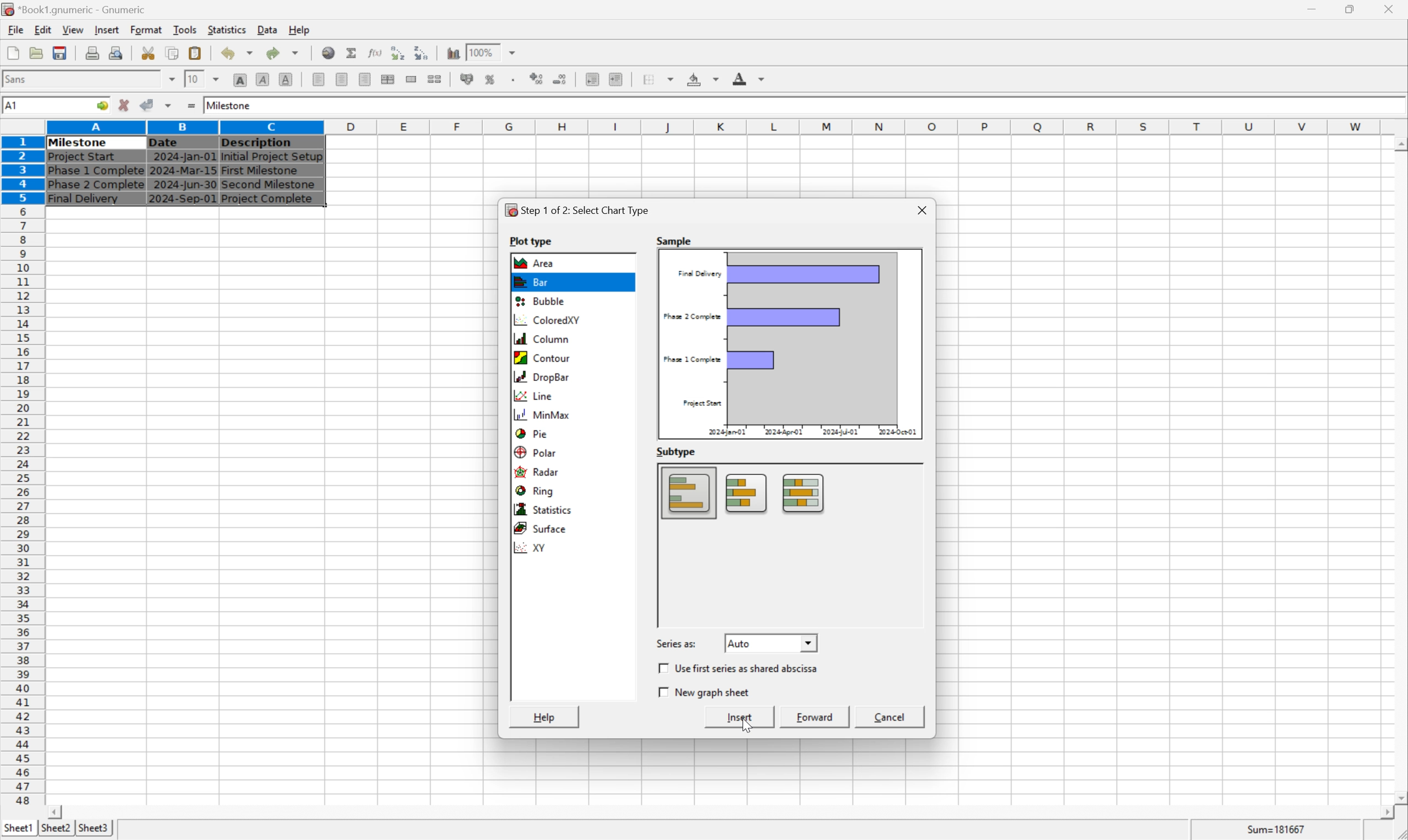  What do you see at coordinates (230, 104) in the screenshot?
I see `Milestone` at bounding box center [230, 104].